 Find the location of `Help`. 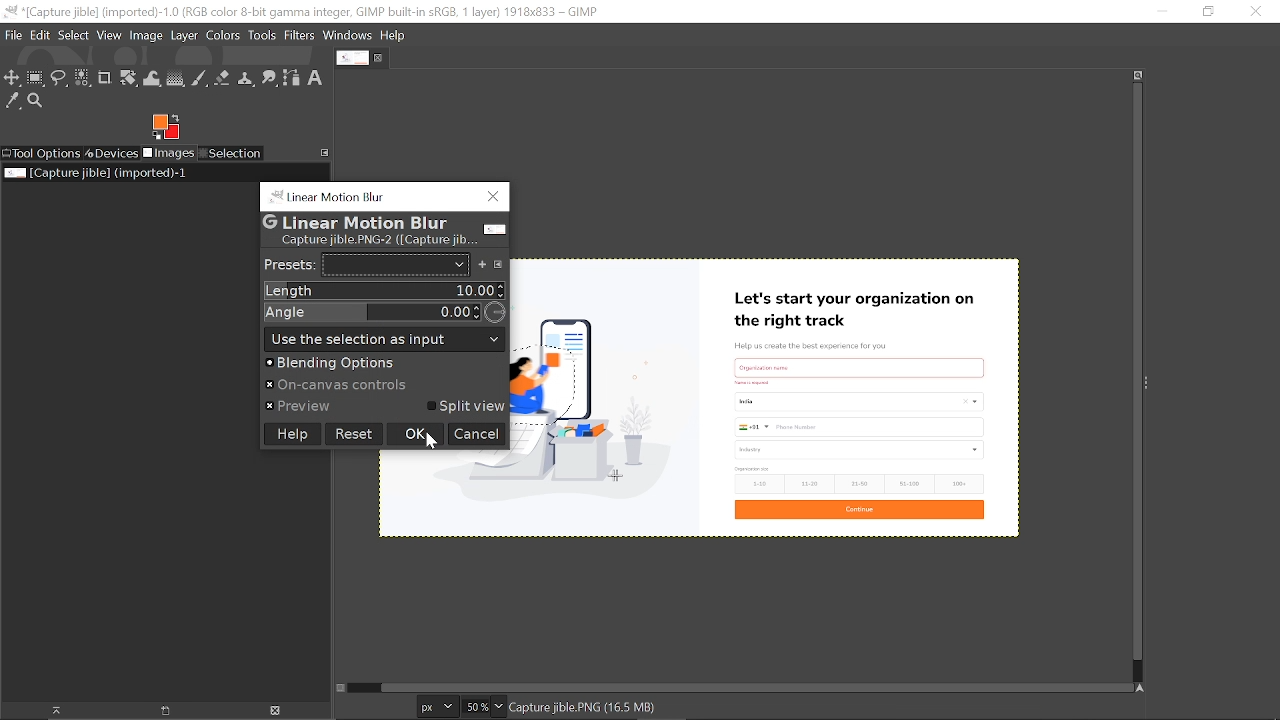

Help is located at coordinates (394, 36).